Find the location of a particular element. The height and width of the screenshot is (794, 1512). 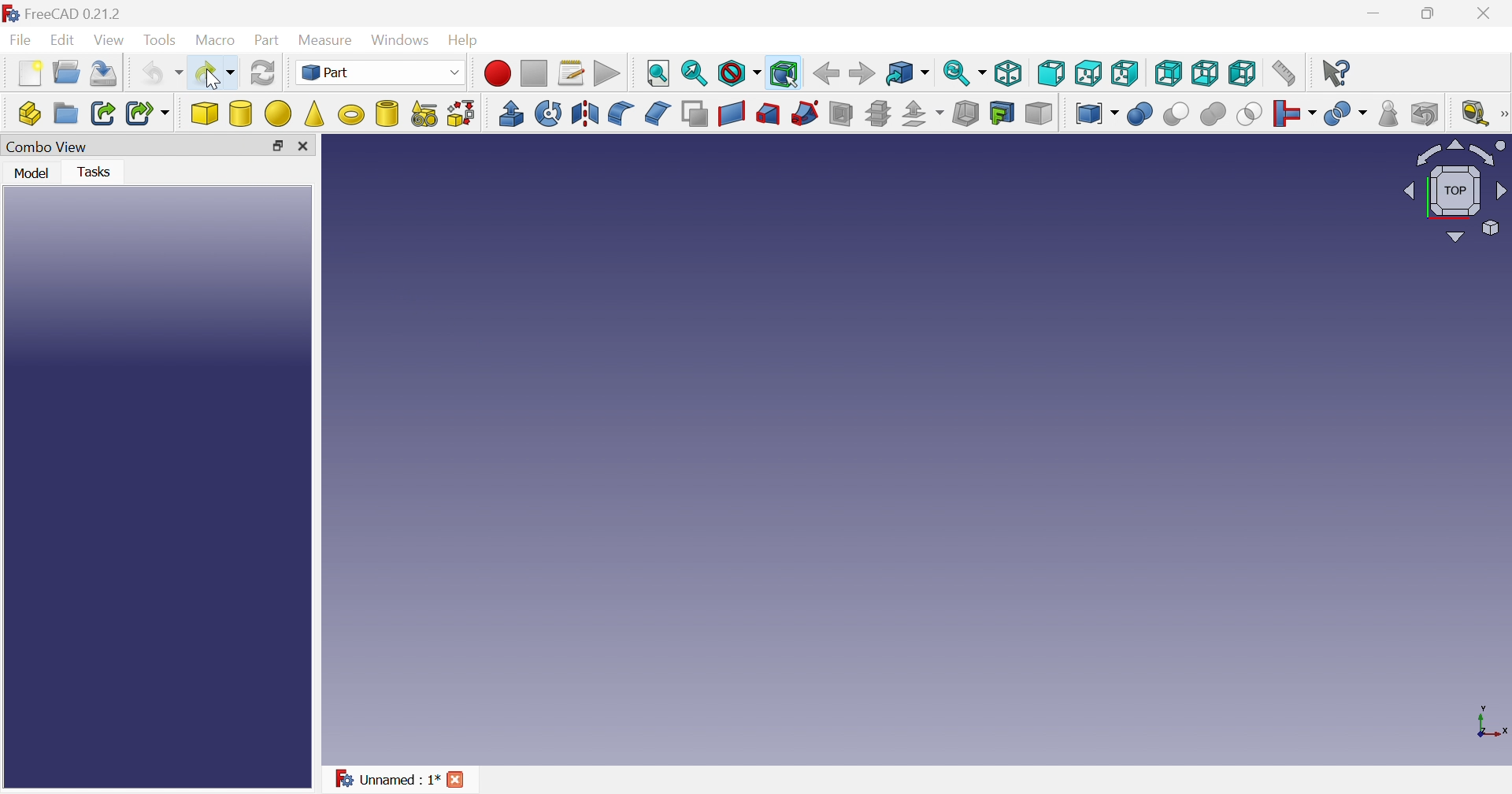

Bounding box is located at coordinates (783, 74).